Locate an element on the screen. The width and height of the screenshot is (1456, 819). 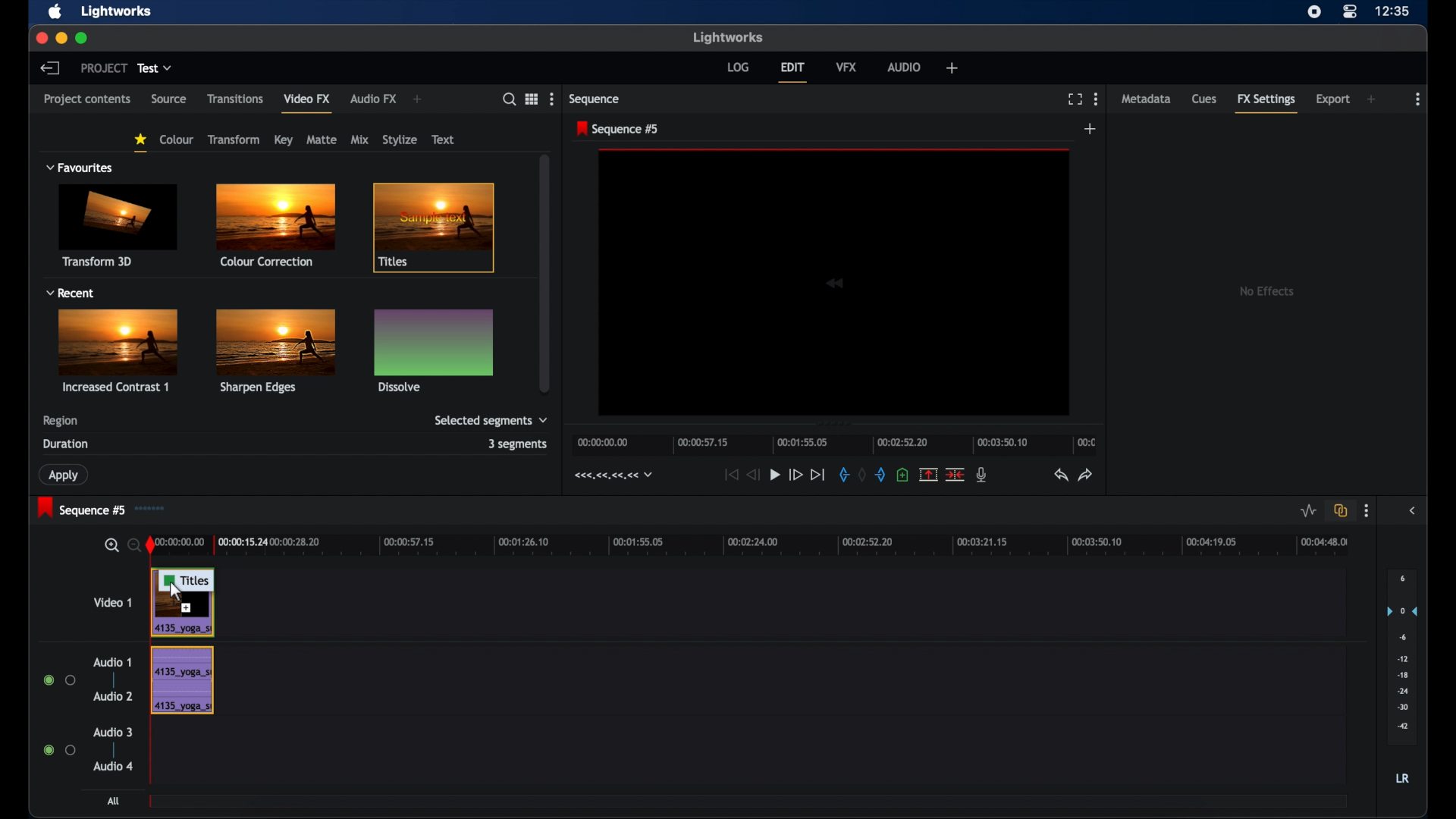
more options is located at coordinates (1096, 99).